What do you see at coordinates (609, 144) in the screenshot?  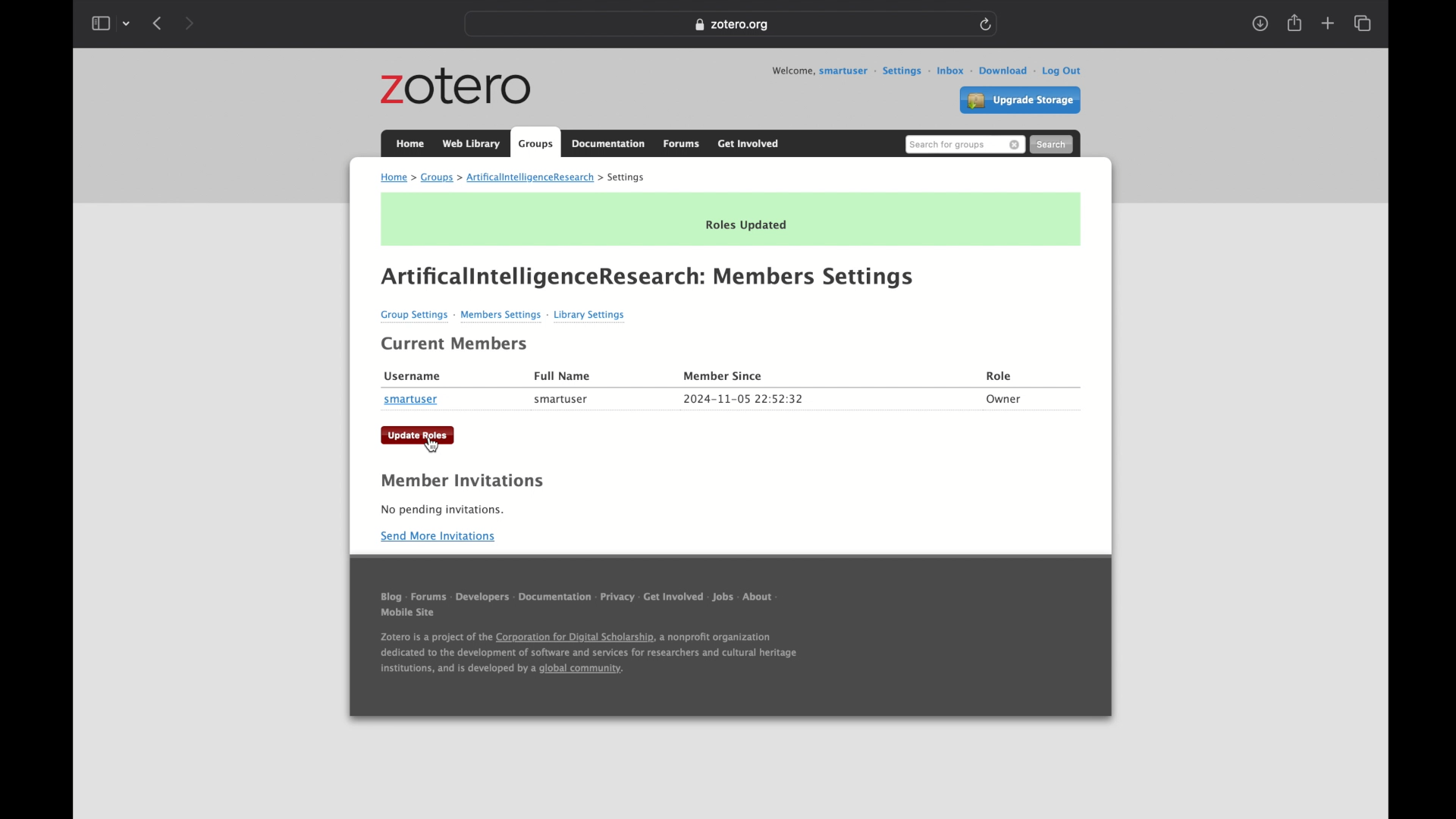 I see `documentation` at bounding box center [609, 144].